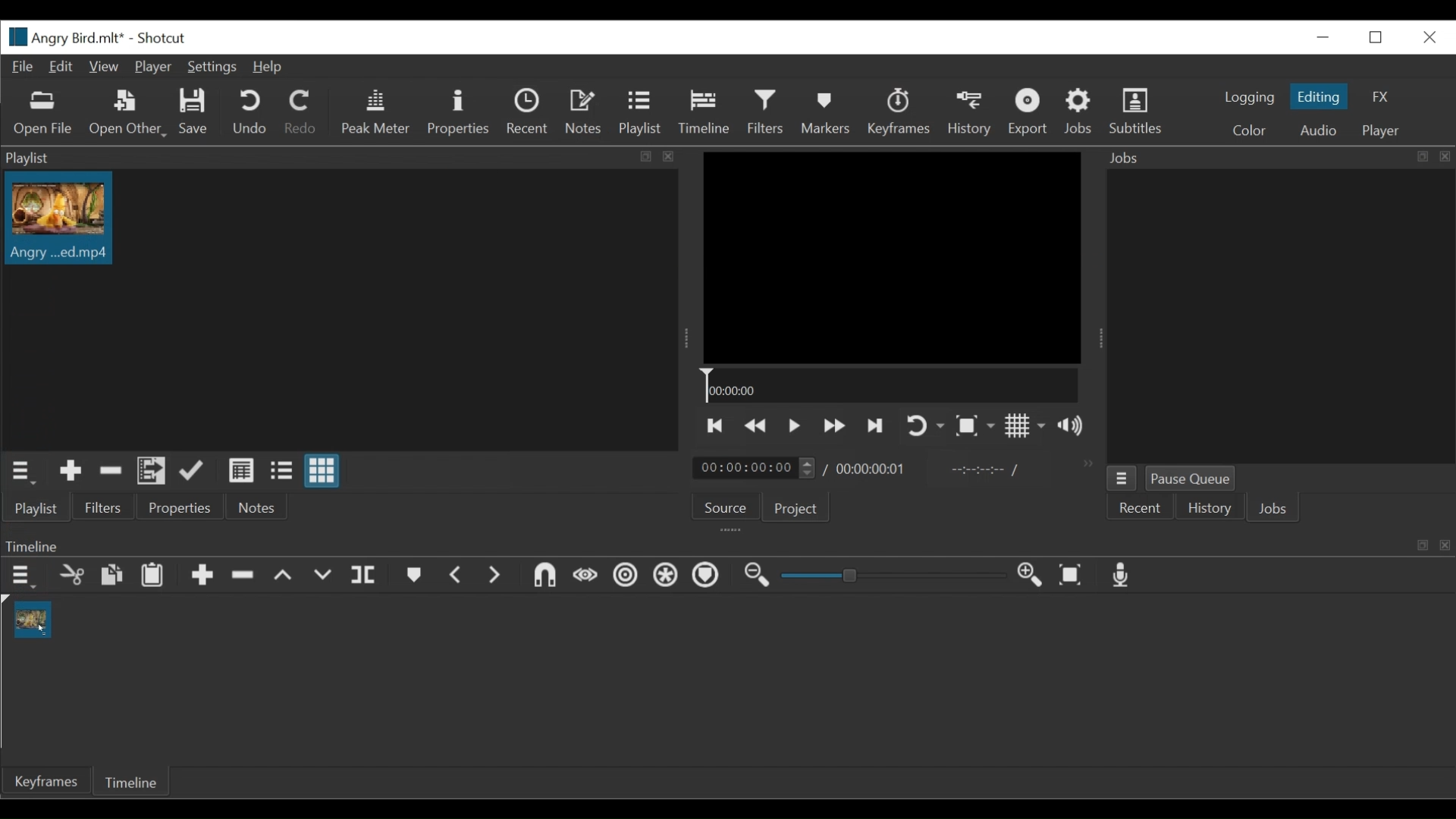 This screenshot has width=1456, height=819. I want to click on Edit, so click(61, 67).